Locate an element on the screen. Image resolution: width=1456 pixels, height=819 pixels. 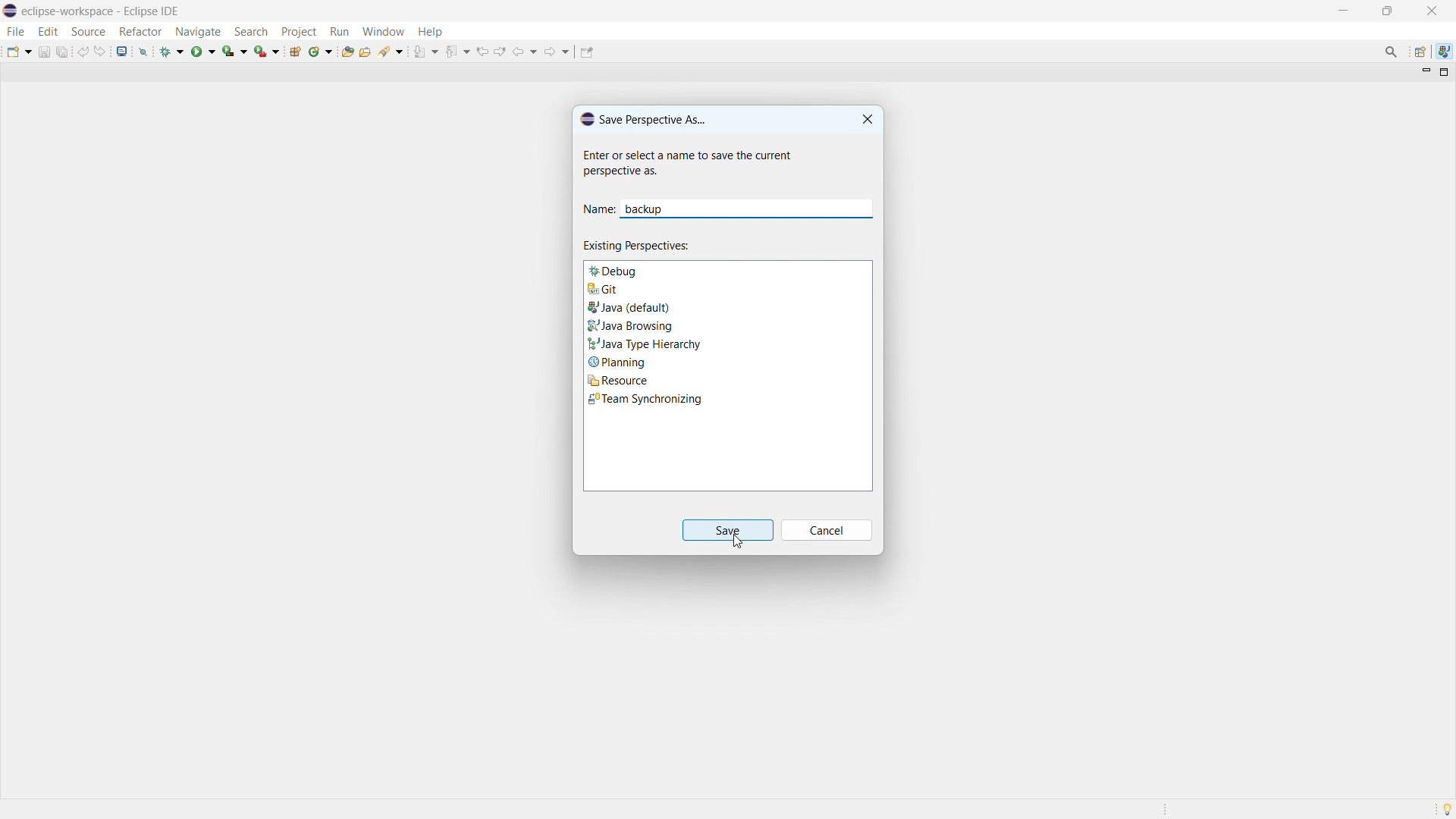
existing perspectives is located at coordinates (638, 245).